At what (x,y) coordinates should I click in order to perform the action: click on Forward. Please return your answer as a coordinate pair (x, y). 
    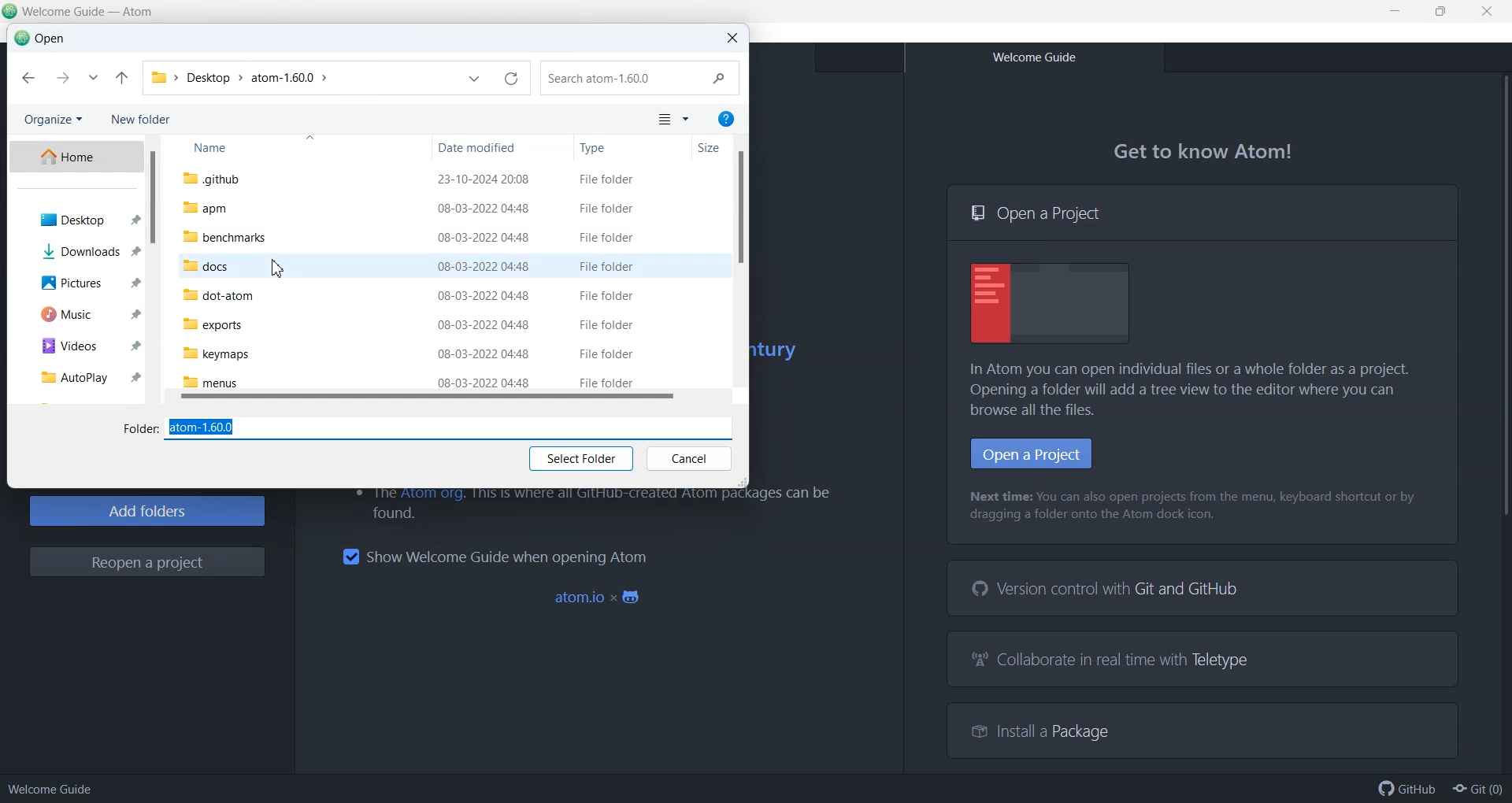
    Looking at the image, I should click on (61, 78).